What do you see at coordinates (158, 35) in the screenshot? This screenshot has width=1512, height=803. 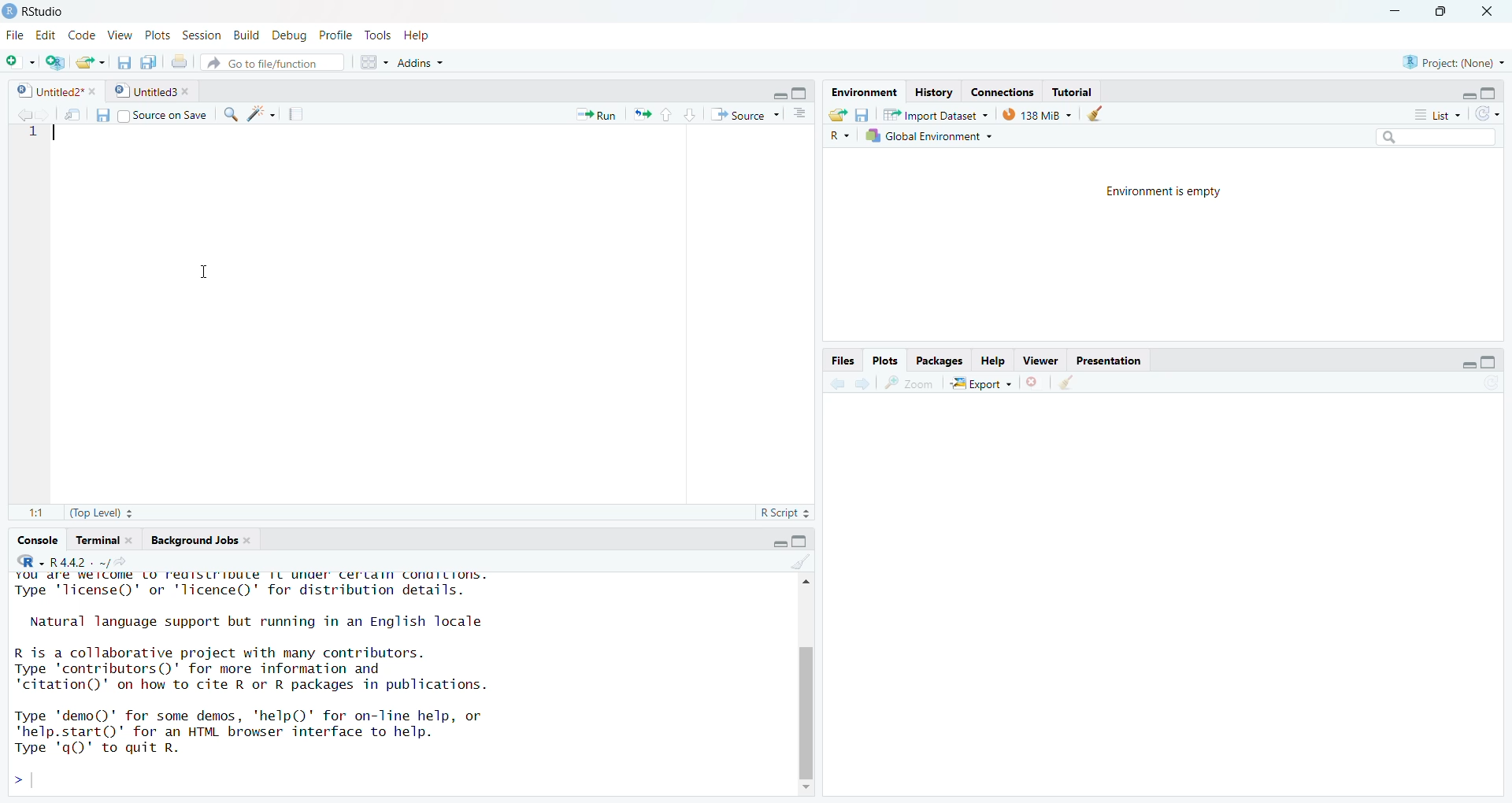 I see `Plots` at bounding box center [158, 35].